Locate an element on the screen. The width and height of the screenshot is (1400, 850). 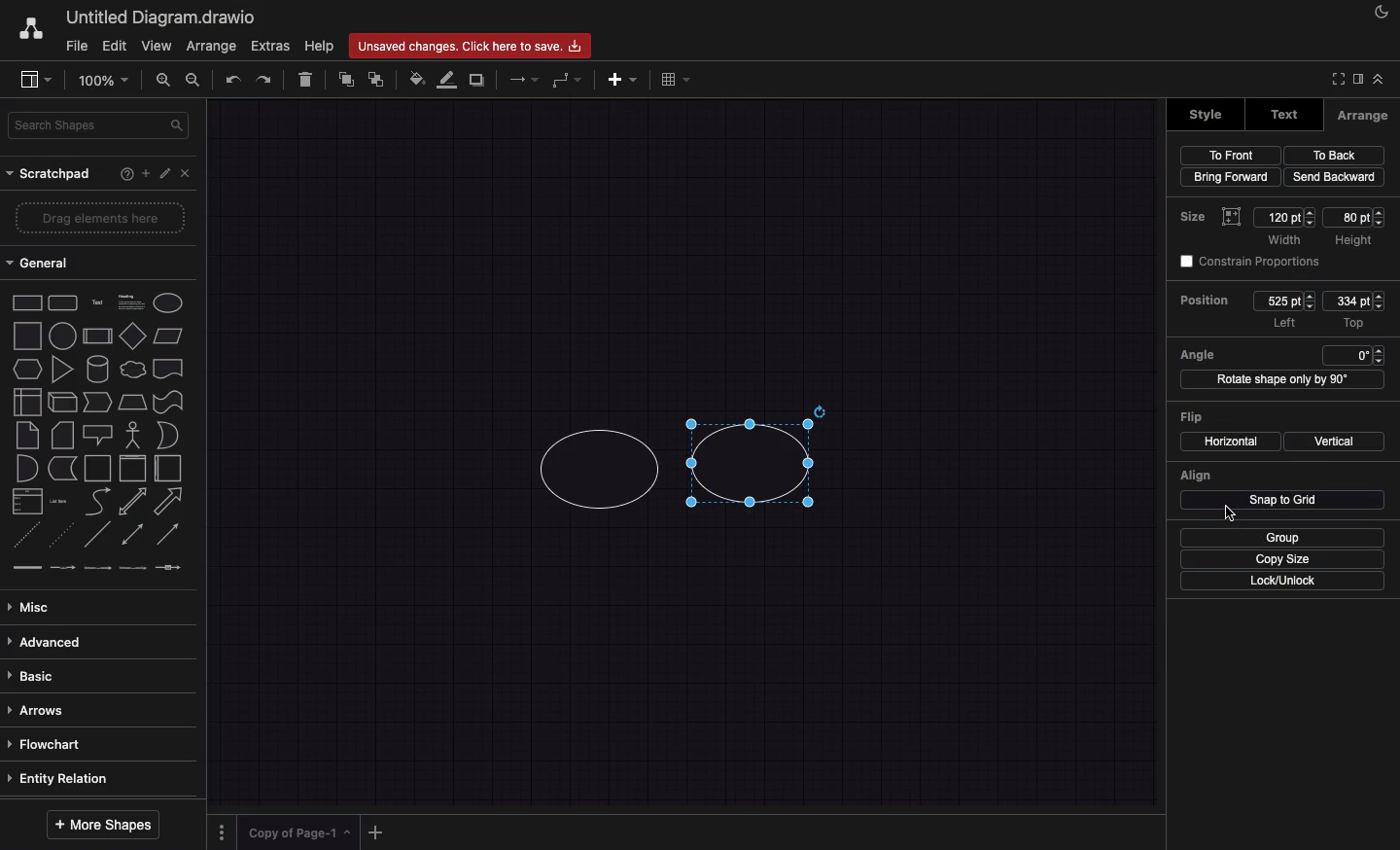
autosize  is located at coordinates (1233, 218).